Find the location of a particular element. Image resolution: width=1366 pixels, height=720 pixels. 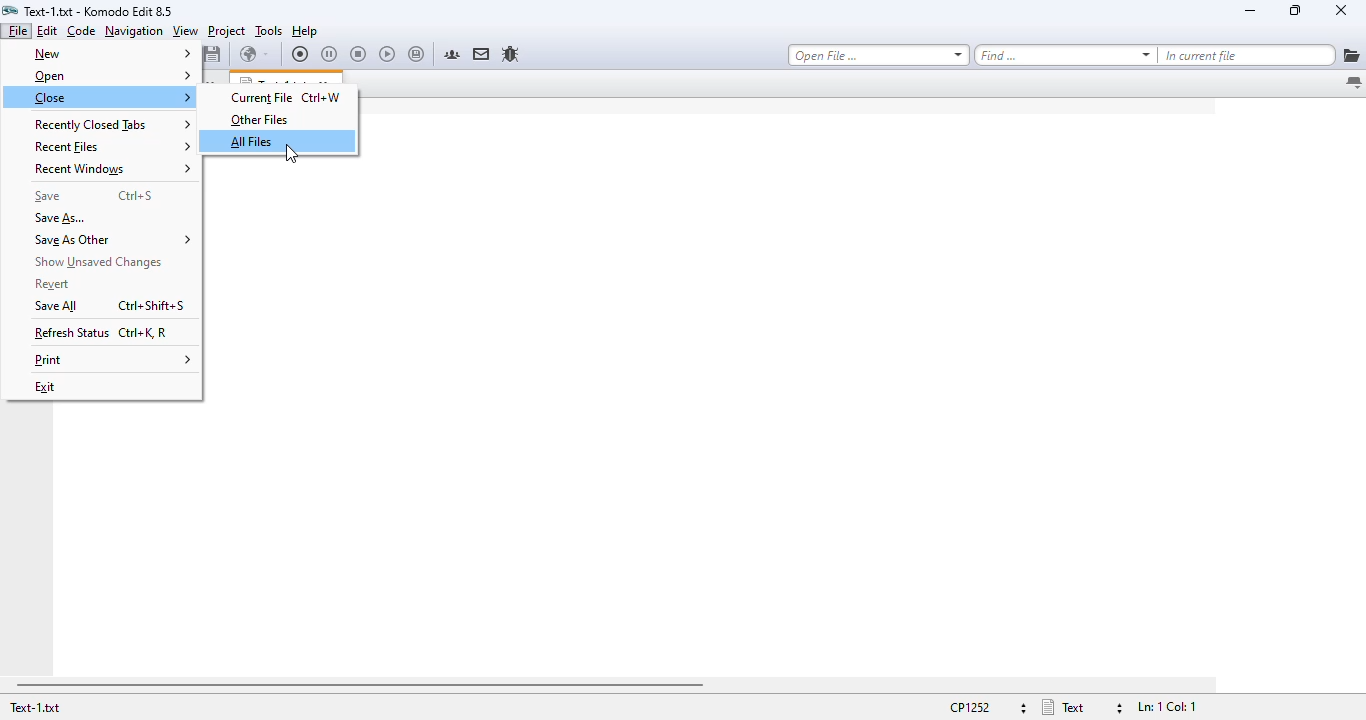

play last macro is located at coordinates (388, 55).